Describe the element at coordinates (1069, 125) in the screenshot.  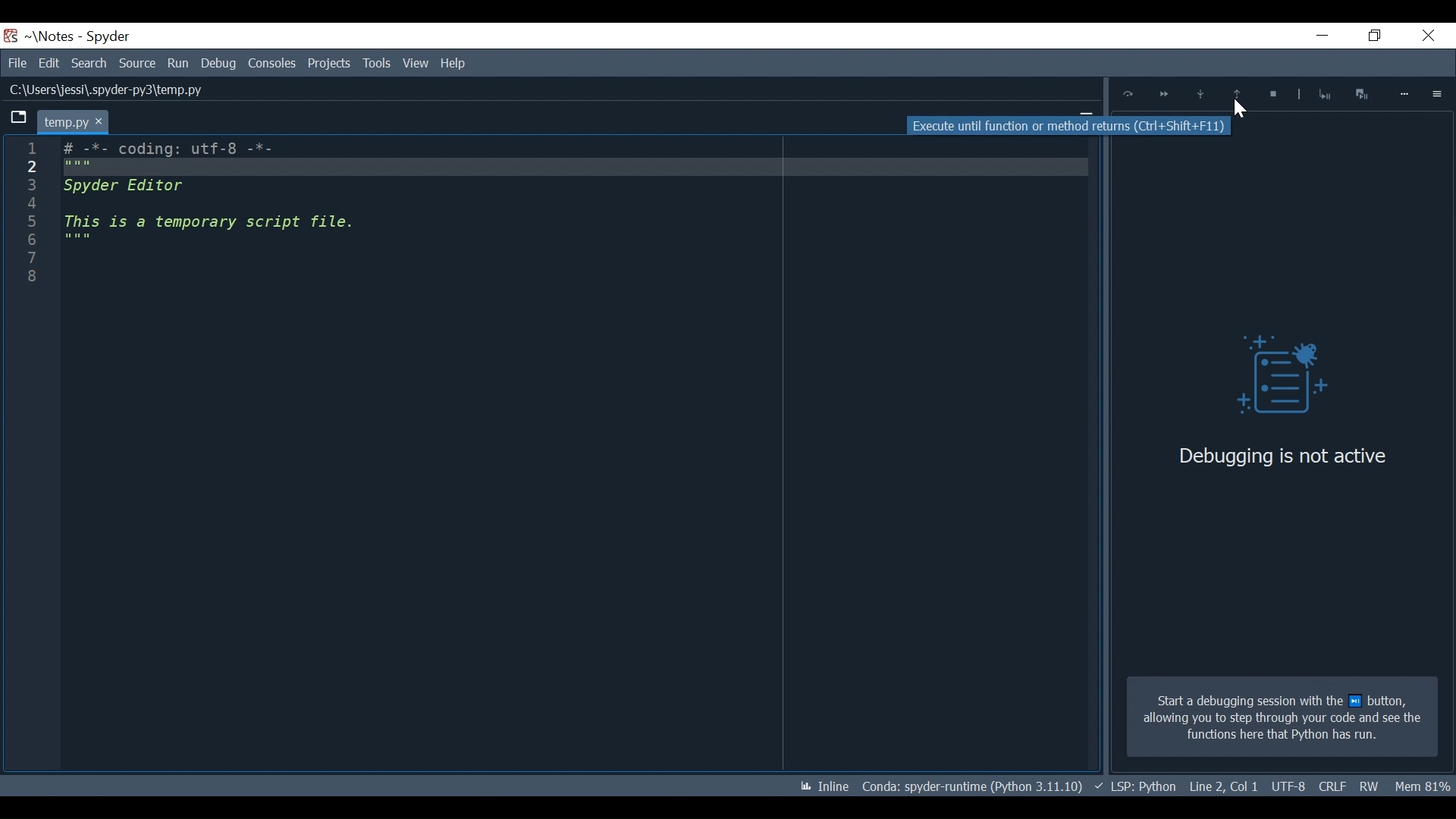
I see `Execute until functions/method returns` at that location.